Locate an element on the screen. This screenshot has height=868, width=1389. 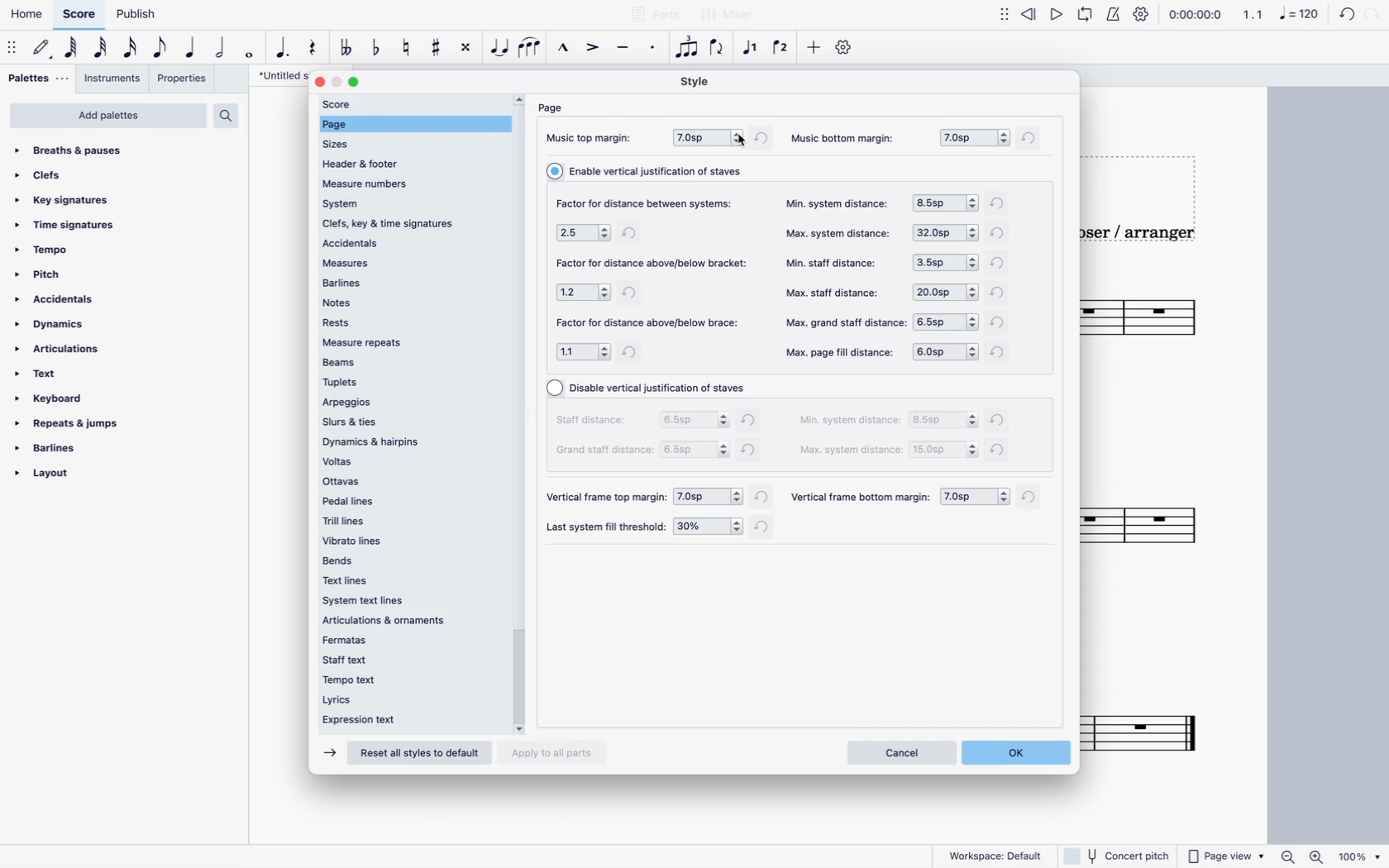
voice 1 is located at coordinates (752, 49).